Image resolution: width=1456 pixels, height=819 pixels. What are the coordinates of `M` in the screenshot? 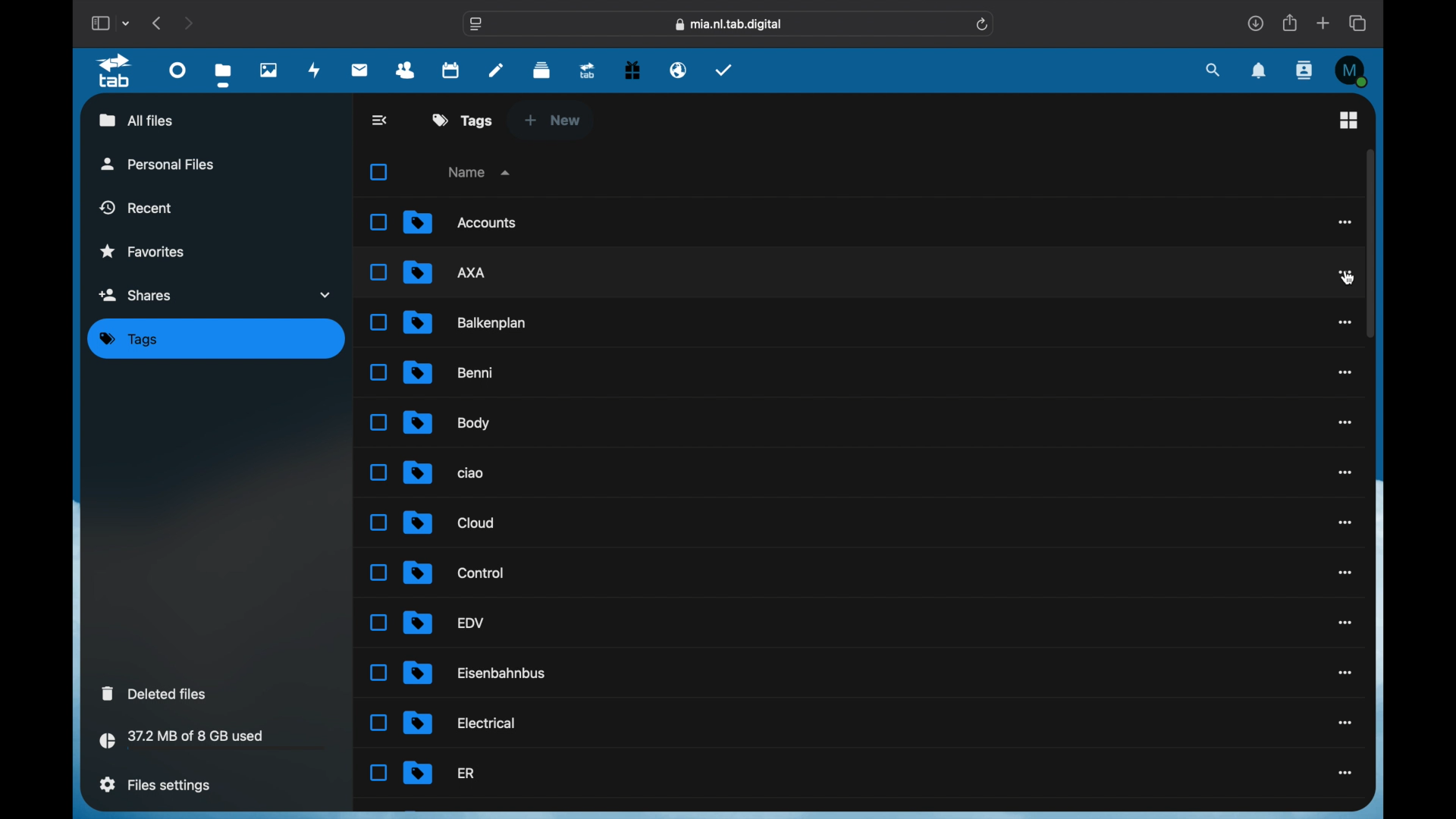 It's located at (1353, 71).